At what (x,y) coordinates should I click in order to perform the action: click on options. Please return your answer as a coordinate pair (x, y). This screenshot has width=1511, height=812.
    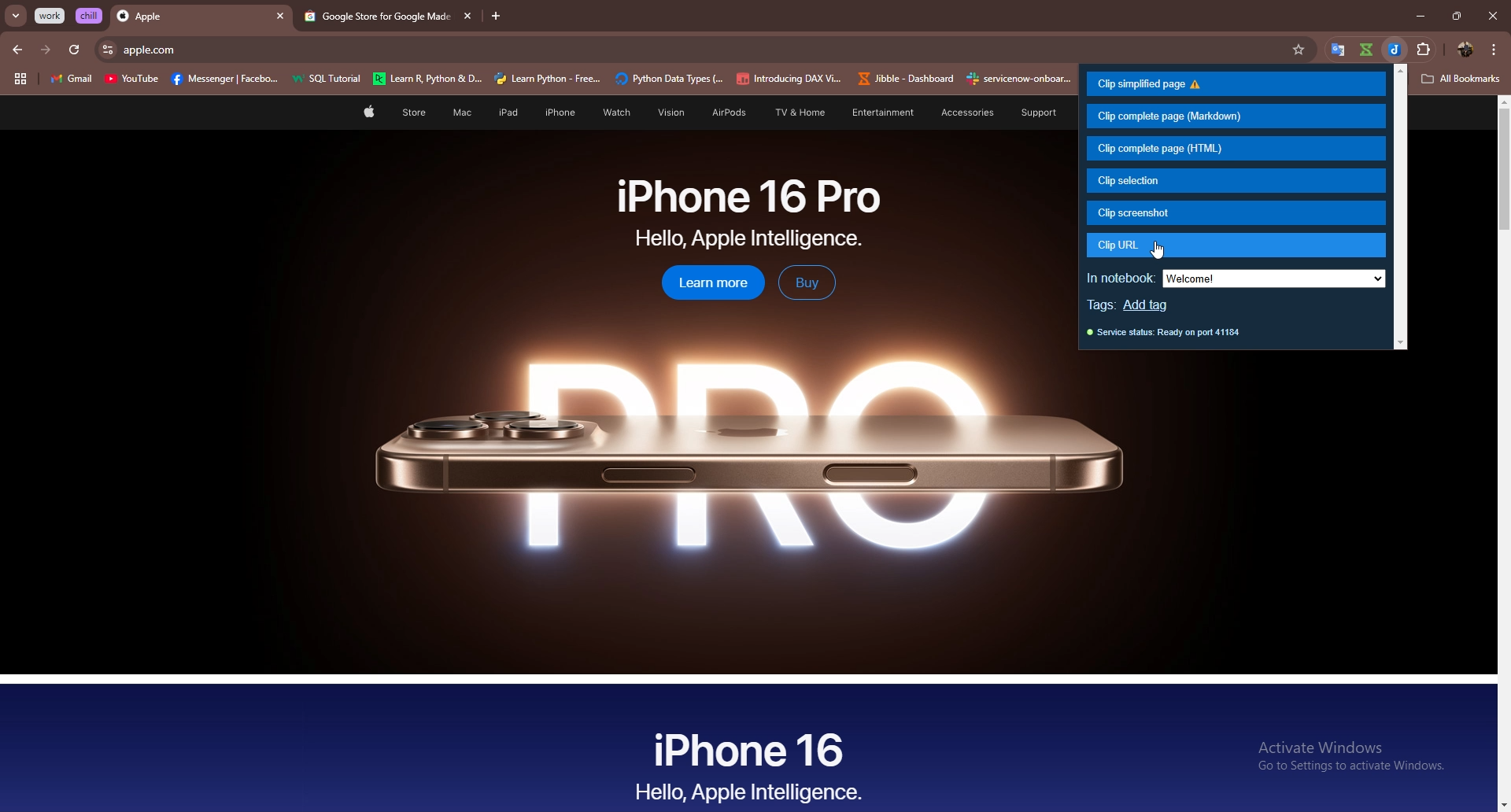
    Looking at the image, I should click on (1494, 49).